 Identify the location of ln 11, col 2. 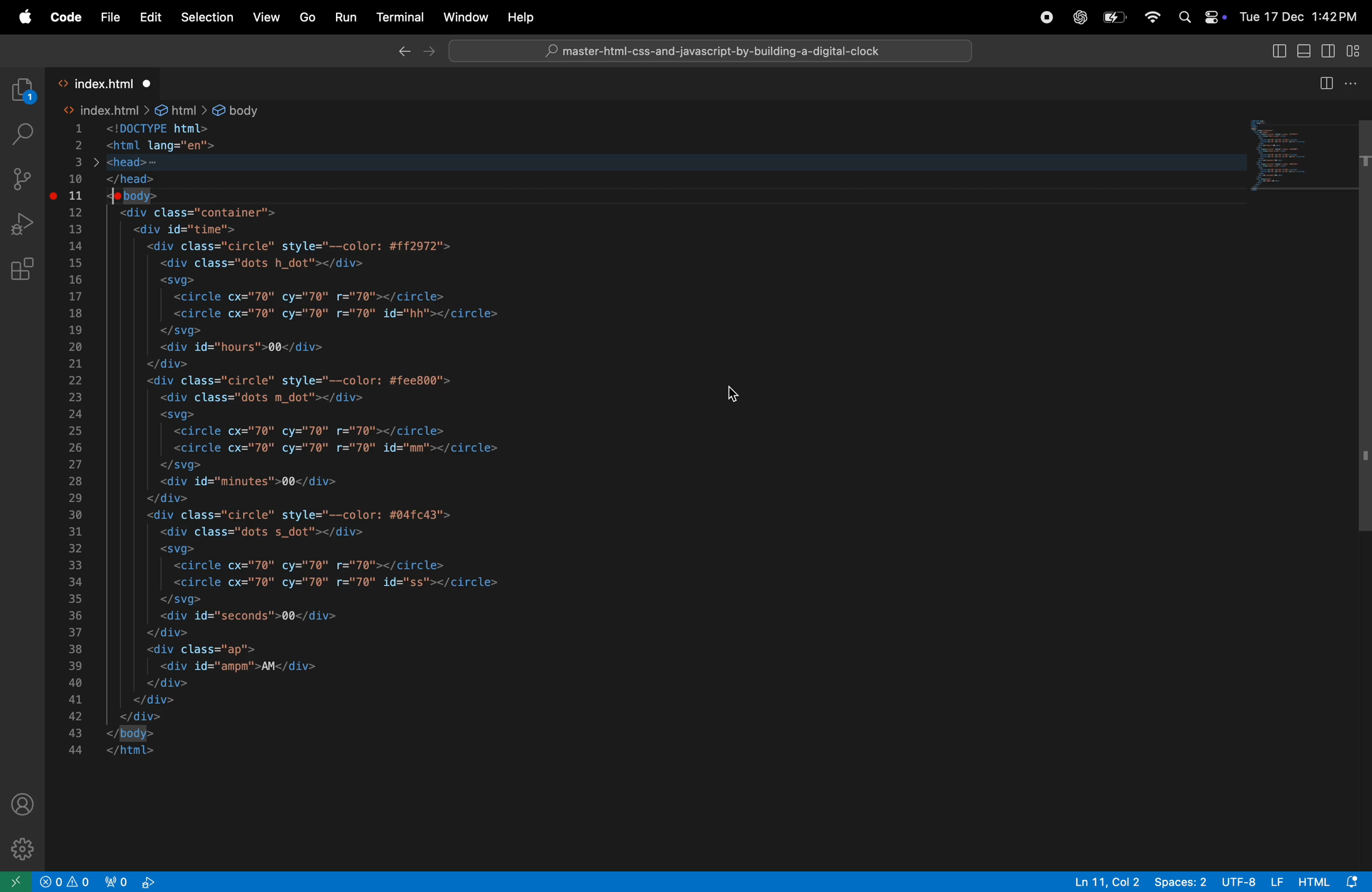
(1104, 881).